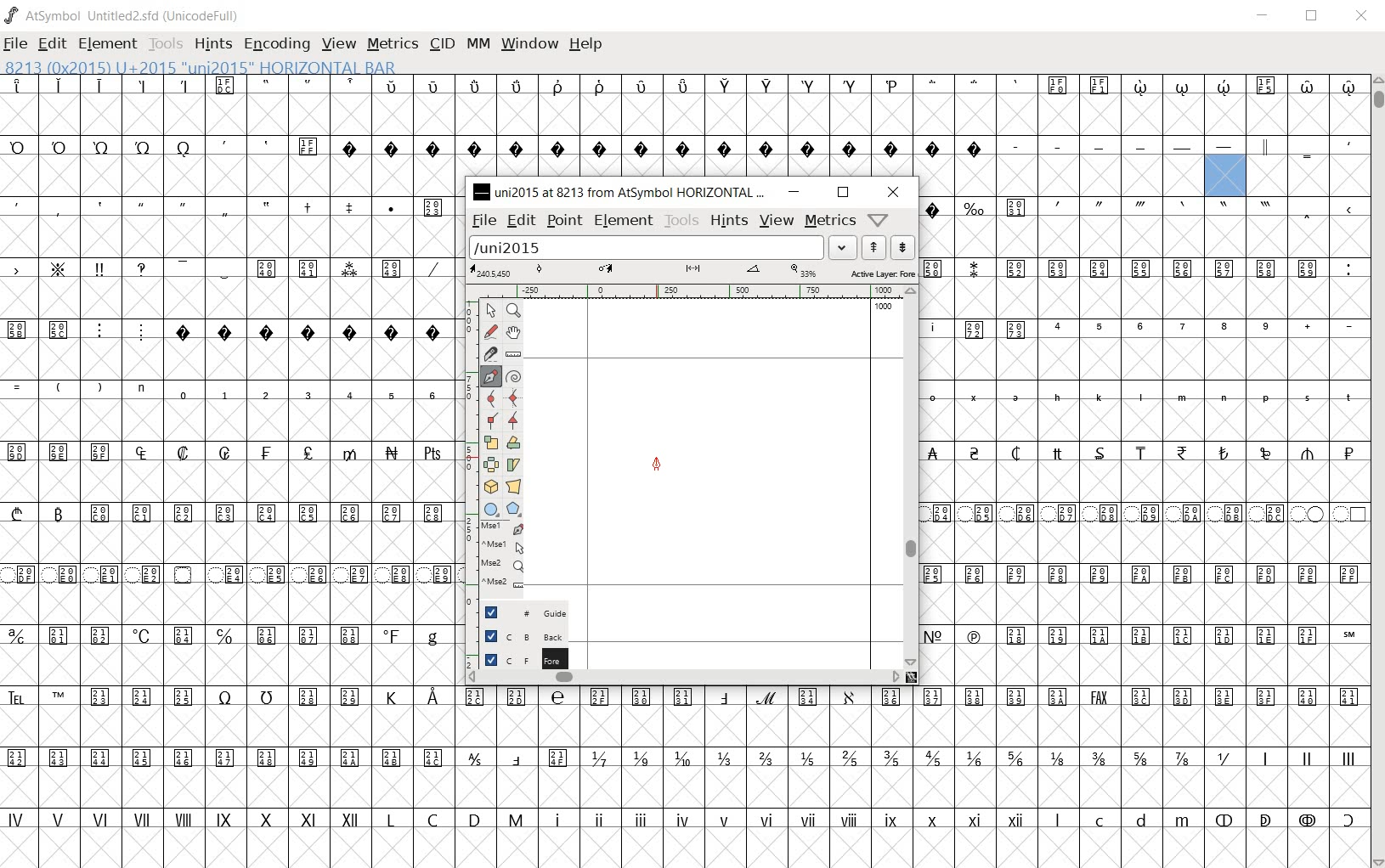 This screenshot has height=868, width=1385. I want to click on hints, so click(730, 223).